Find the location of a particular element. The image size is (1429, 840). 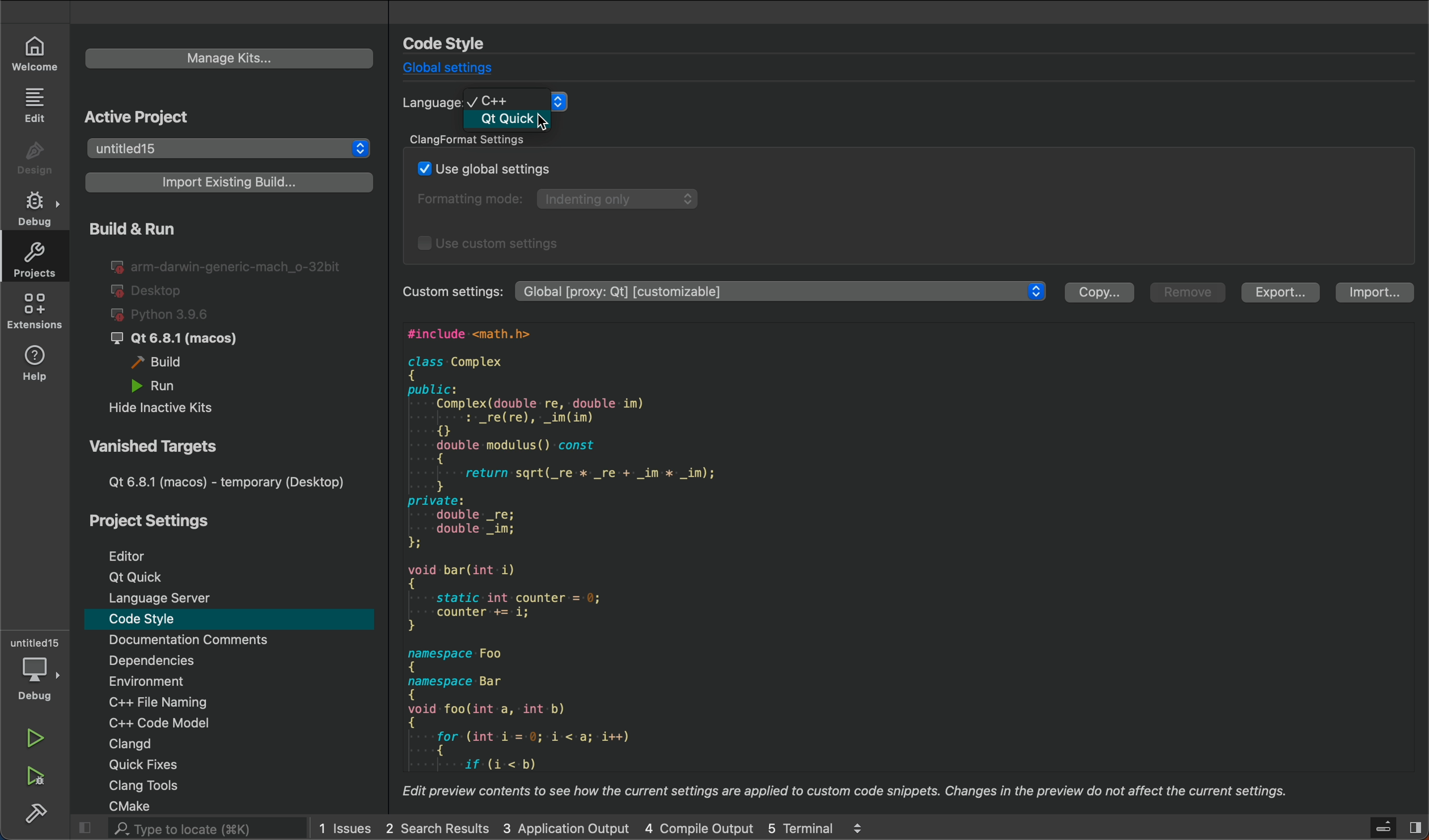

clanged is located at coordinates (175, 744).